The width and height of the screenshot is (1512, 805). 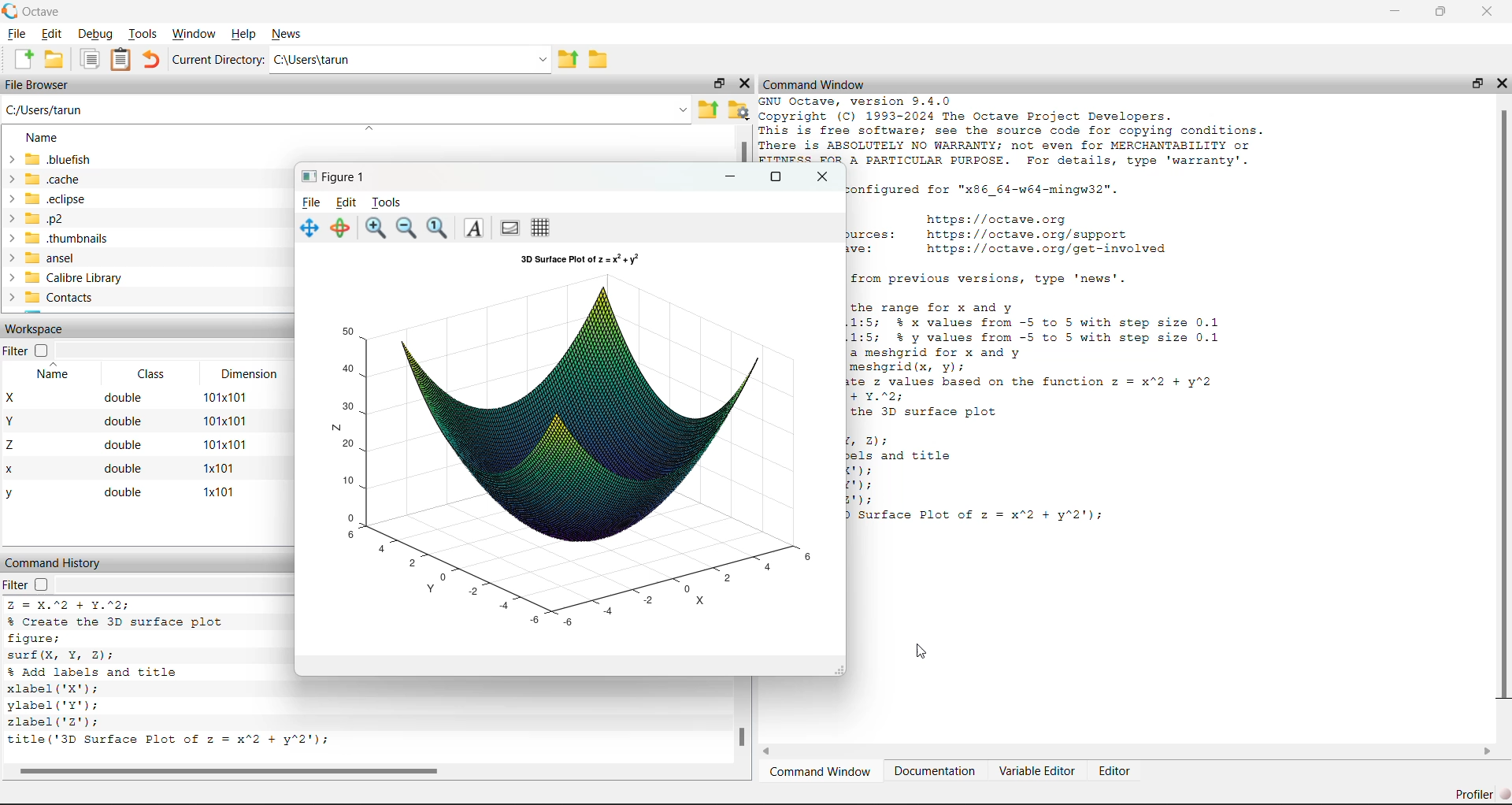 I want to click on File, so click(x=312, y=202).